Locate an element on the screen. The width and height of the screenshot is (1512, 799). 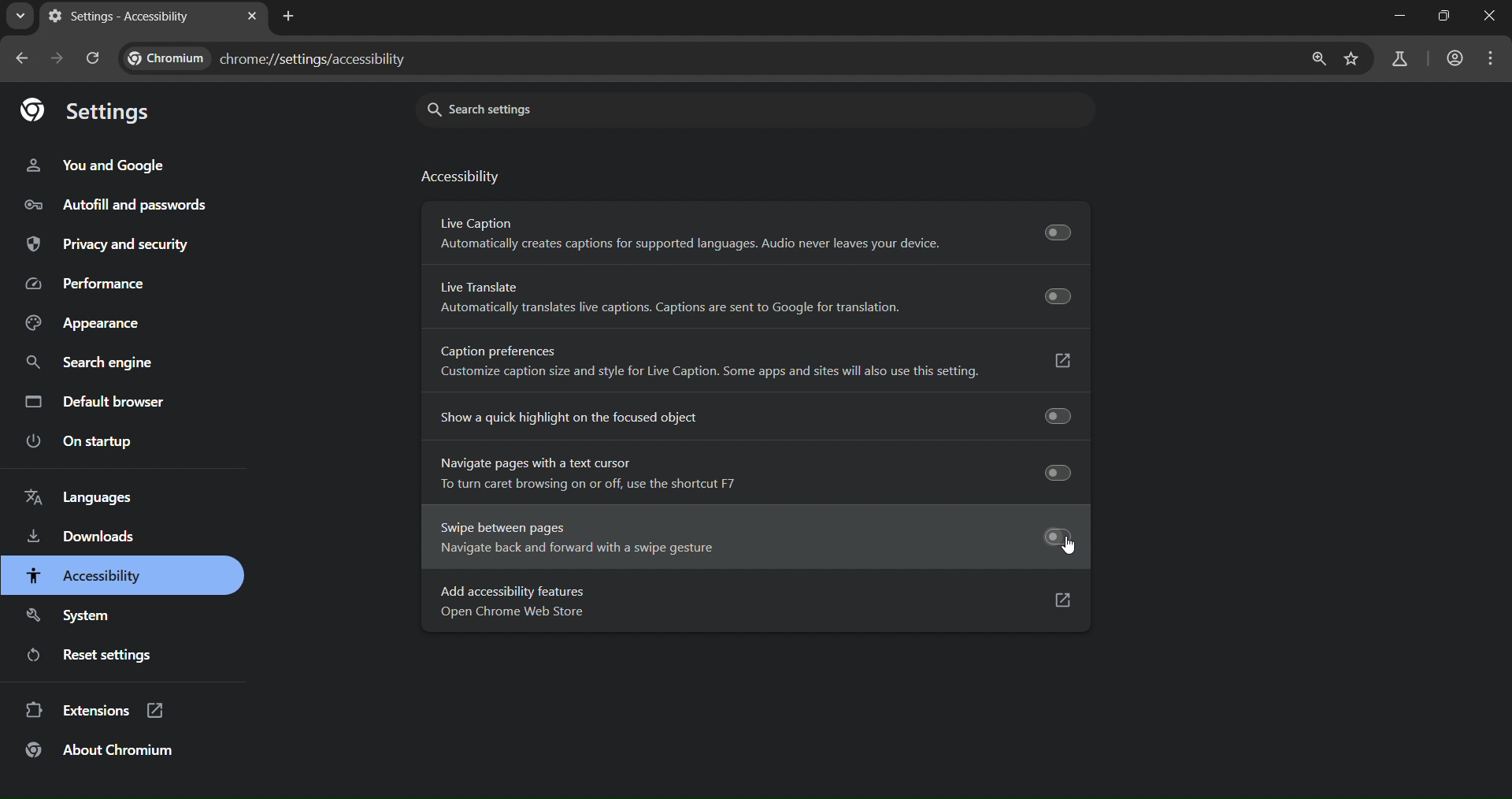
system is located at coordinates (72, 612).